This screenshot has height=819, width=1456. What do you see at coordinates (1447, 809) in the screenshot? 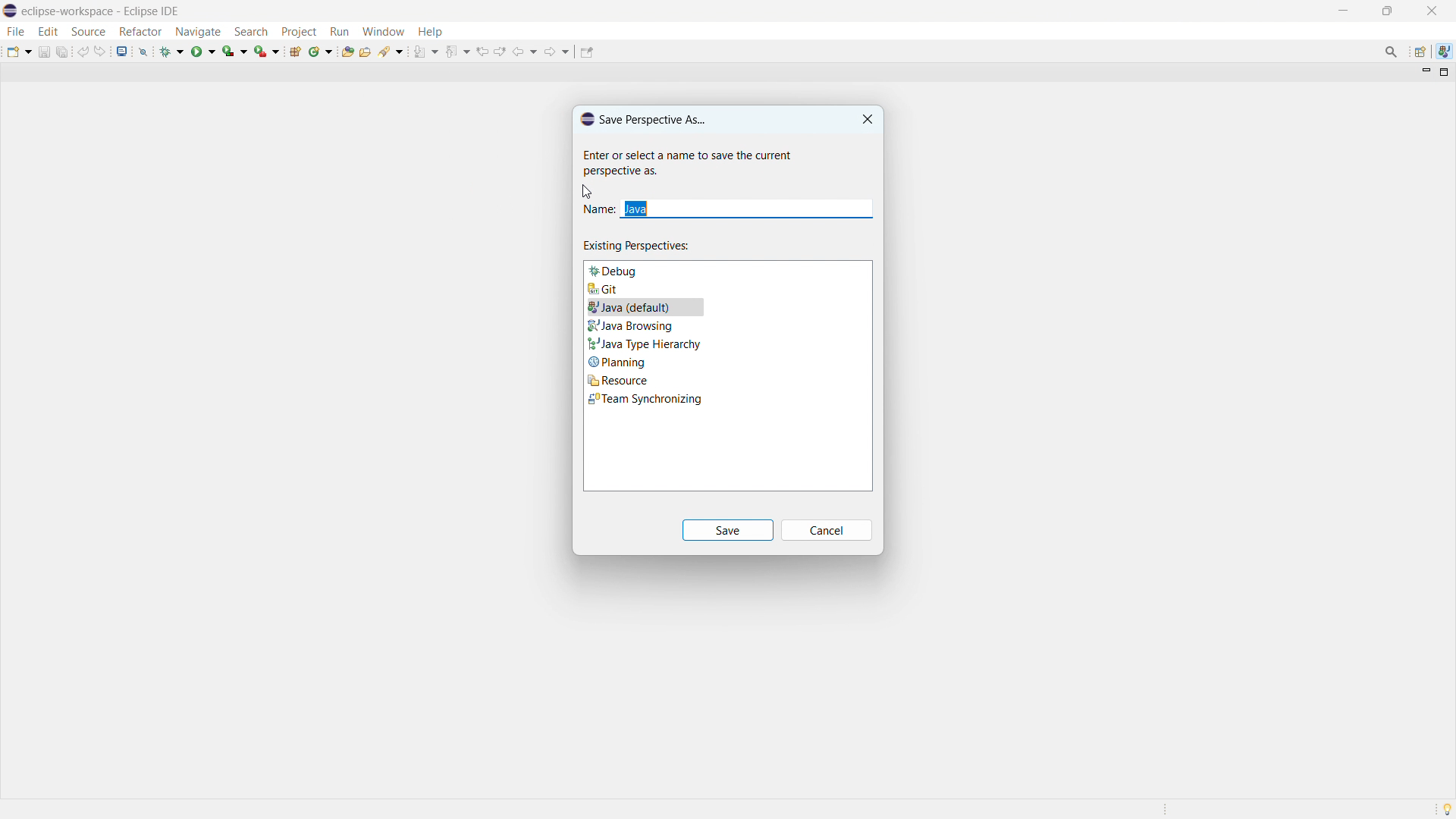
I see `tip of the day` at bounding box center [1447, 809].